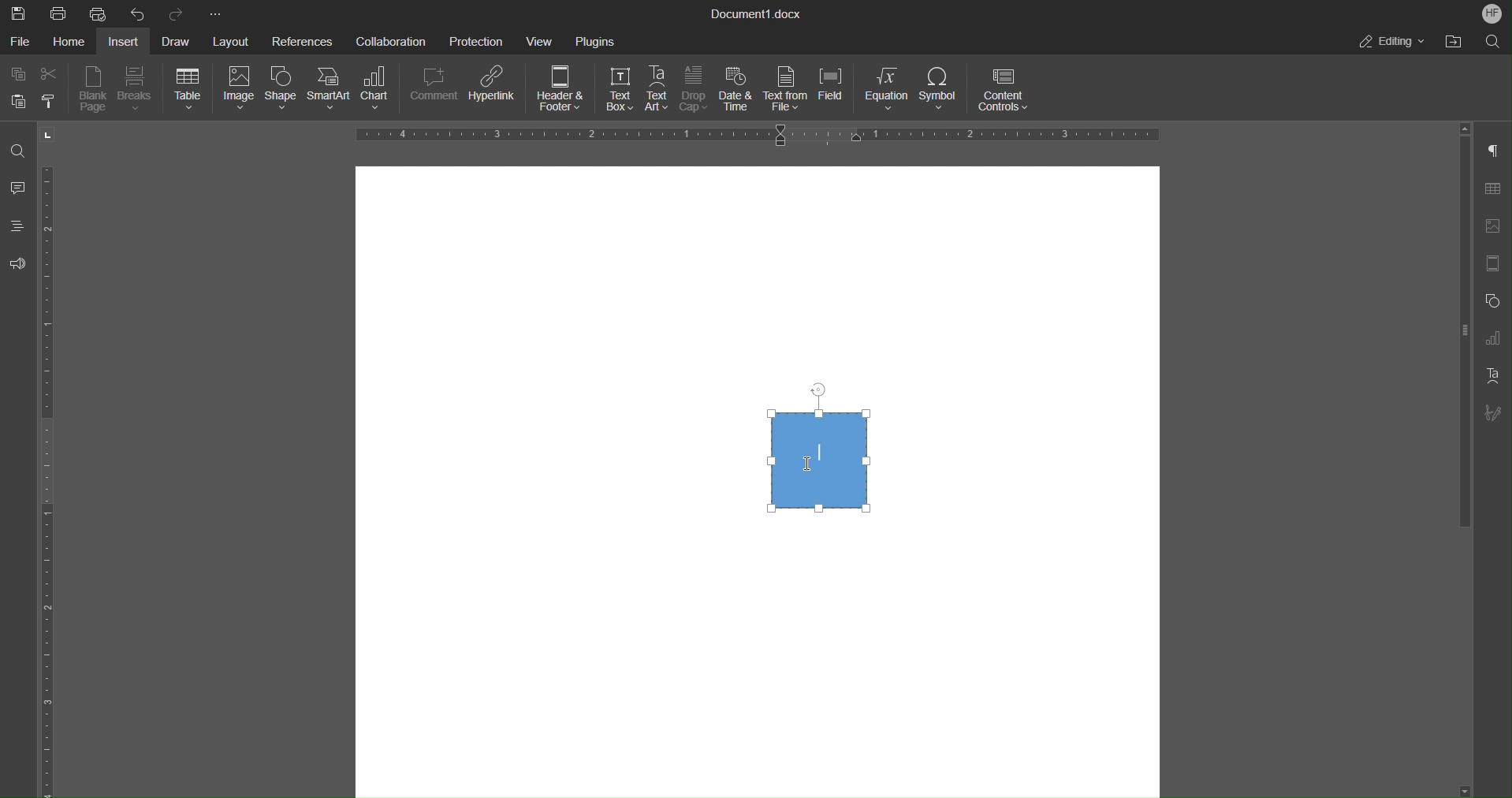 Image resolution: width=1512 pixels, height=798 pixels. Describe the element at coordinates (752, 136) in the screenshot. I see `Horizonatl Ruler` at that location.